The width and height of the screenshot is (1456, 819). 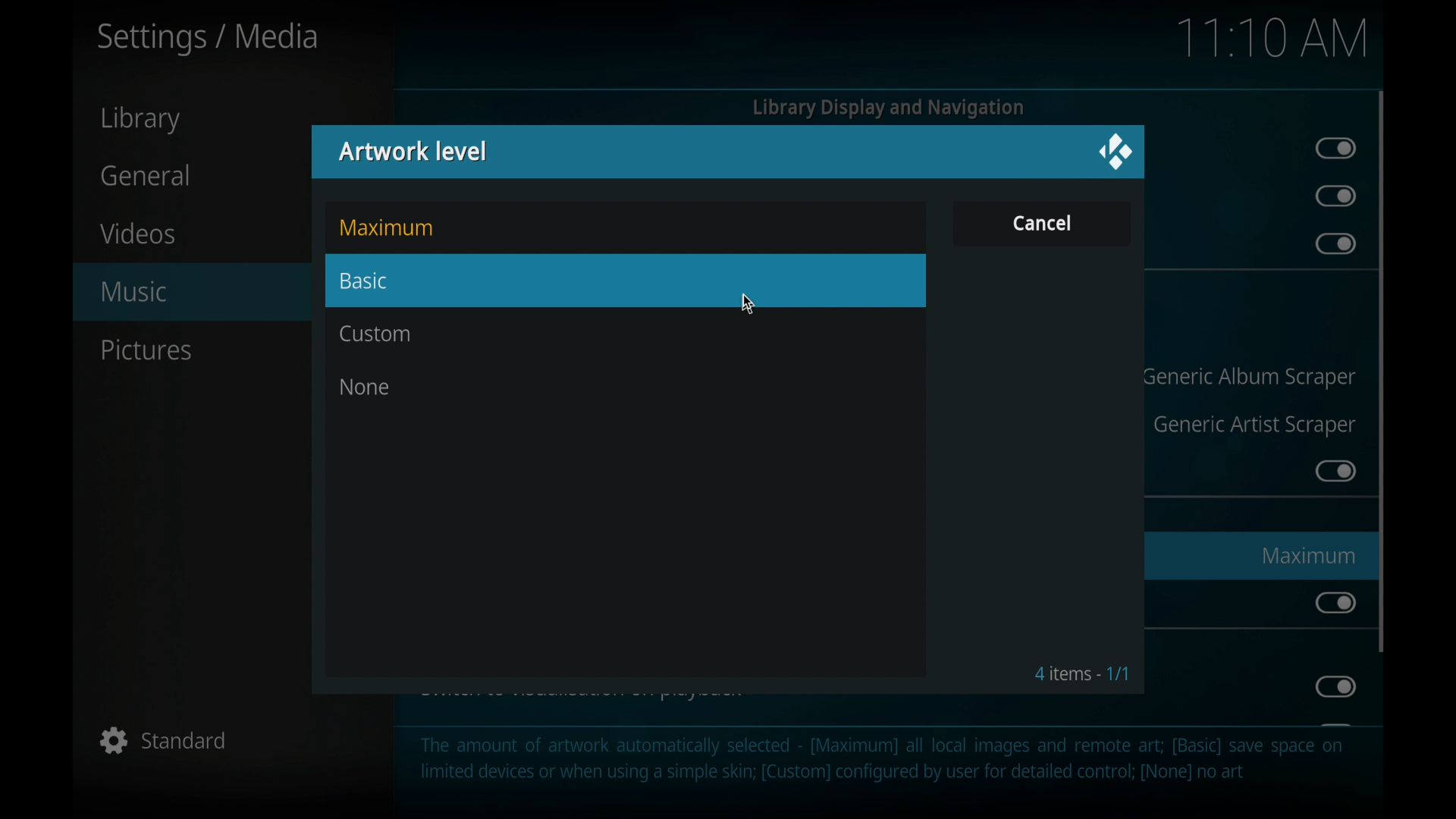 What do you see at coordinates (1335, 470) in the screenshot?
I see `toggle button` at bounding box center [1335, 470].